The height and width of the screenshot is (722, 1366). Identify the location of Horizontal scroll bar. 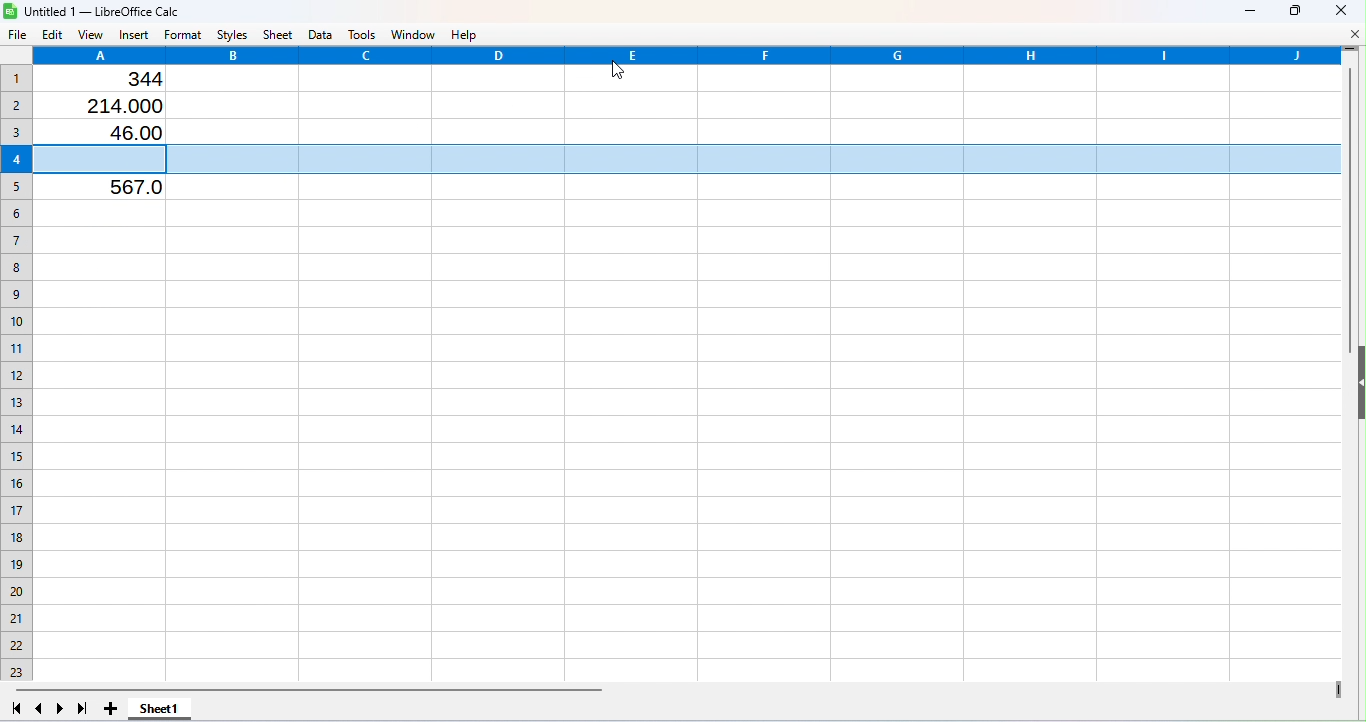
(673, 688).